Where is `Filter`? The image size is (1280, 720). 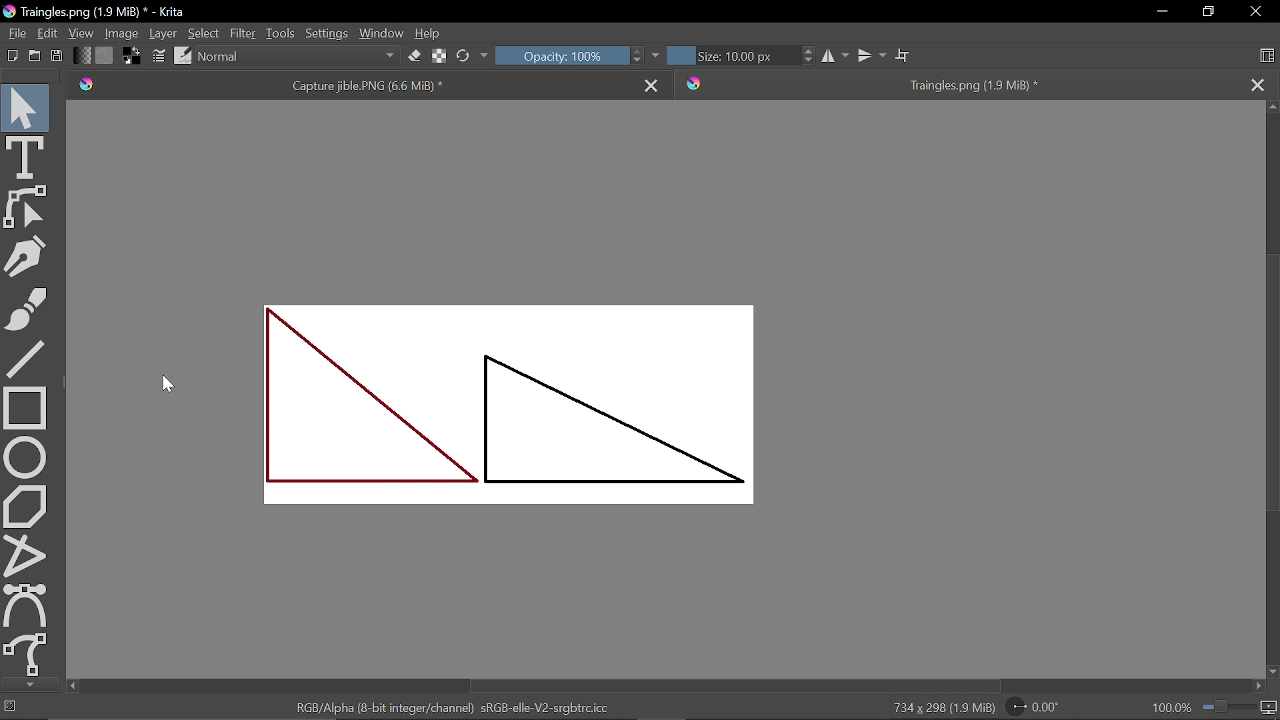 Filter is located at coordinates (243, 33).